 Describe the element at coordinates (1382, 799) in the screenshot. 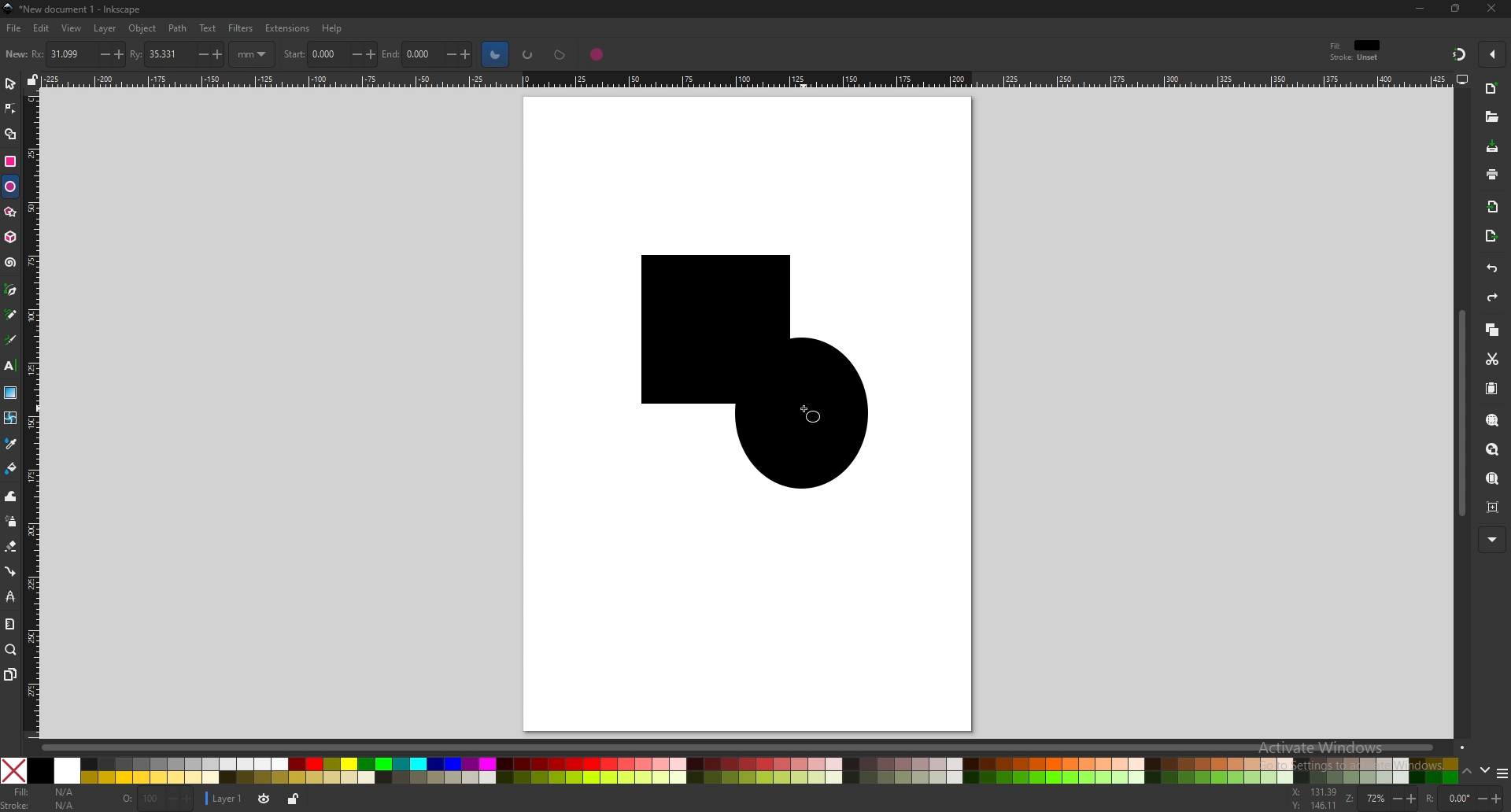

I see `zoom` at that location.